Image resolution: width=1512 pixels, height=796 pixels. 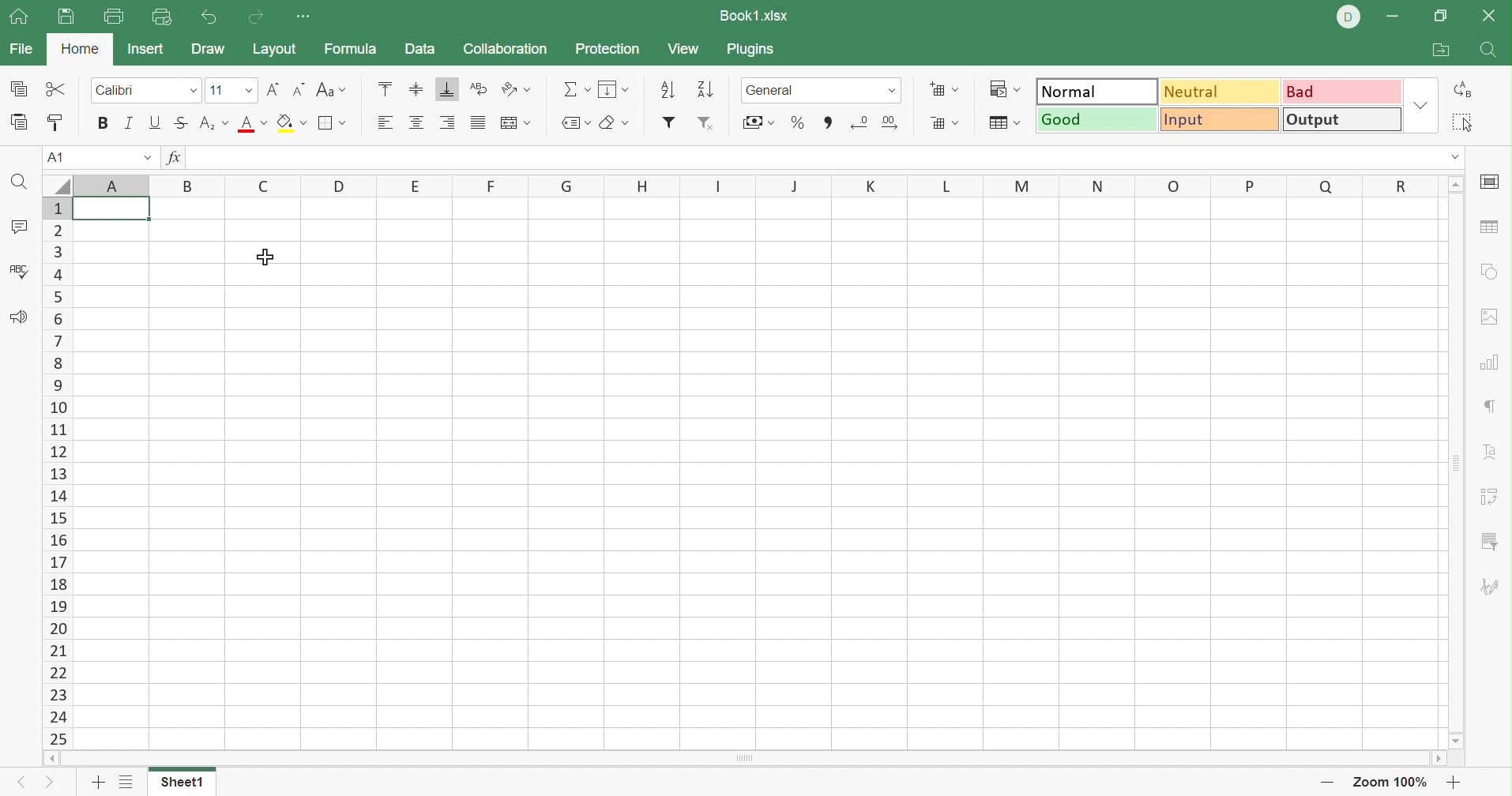 What do you see at coordinates (671, 124) in the screenshot?
I see `Filter` at bounding box center [671, 124].